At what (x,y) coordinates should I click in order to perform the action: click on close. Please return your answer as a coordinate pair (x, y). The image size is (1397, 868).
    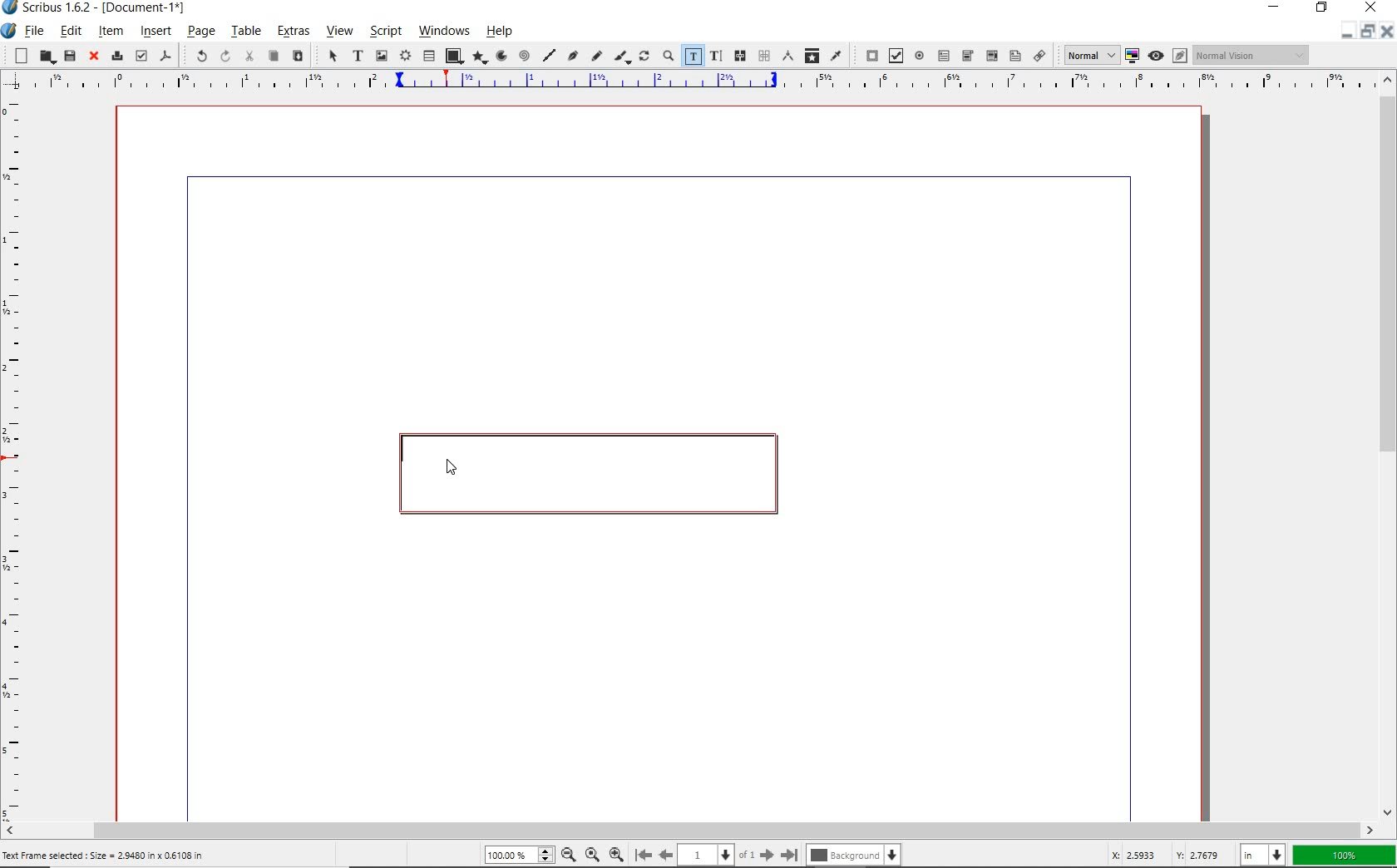
    Looking at the image, I should click on (1371, 7).